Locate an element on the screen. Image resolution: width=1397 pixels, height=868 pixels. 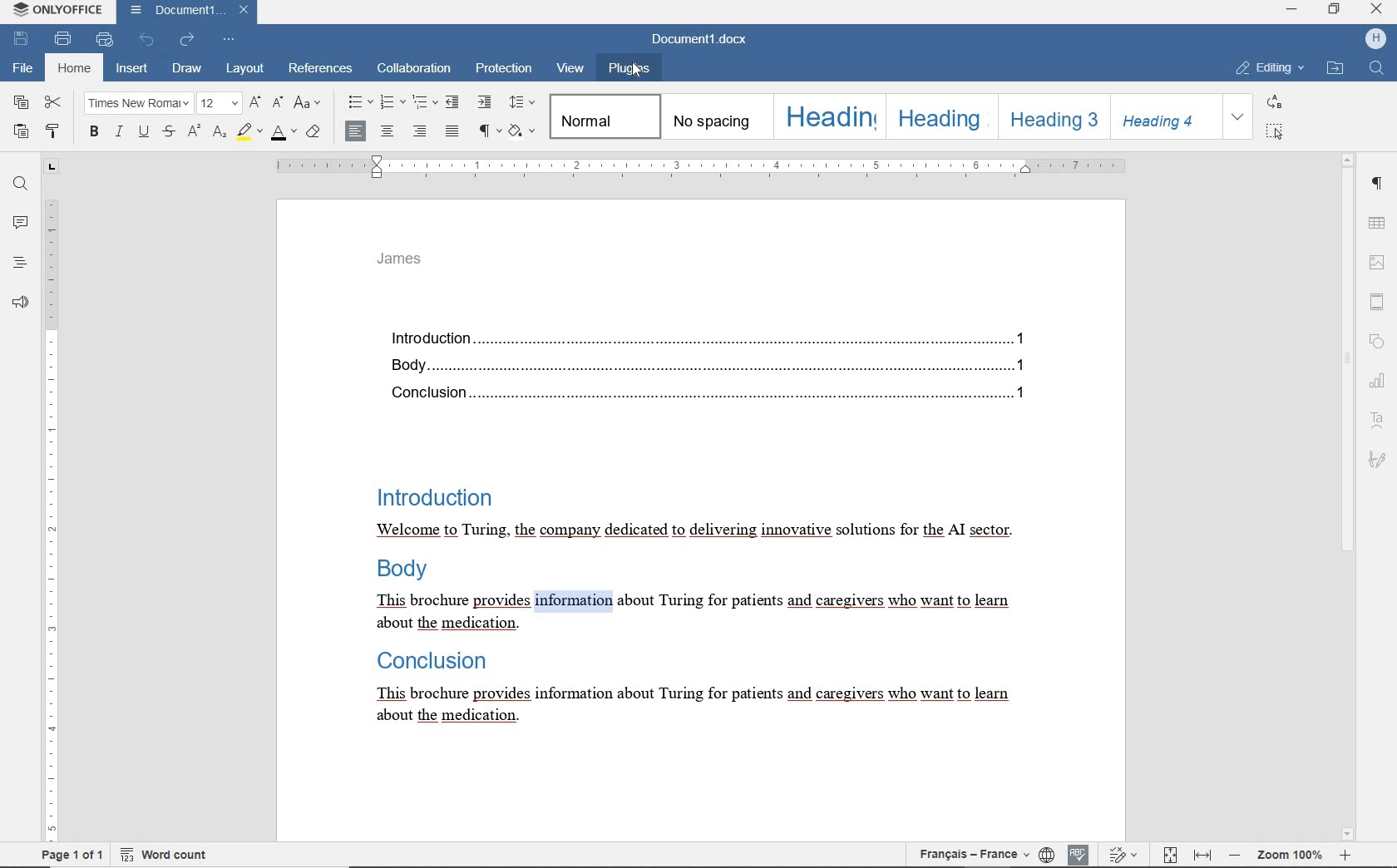
EXPAND is located at coordinates (1238, 117).